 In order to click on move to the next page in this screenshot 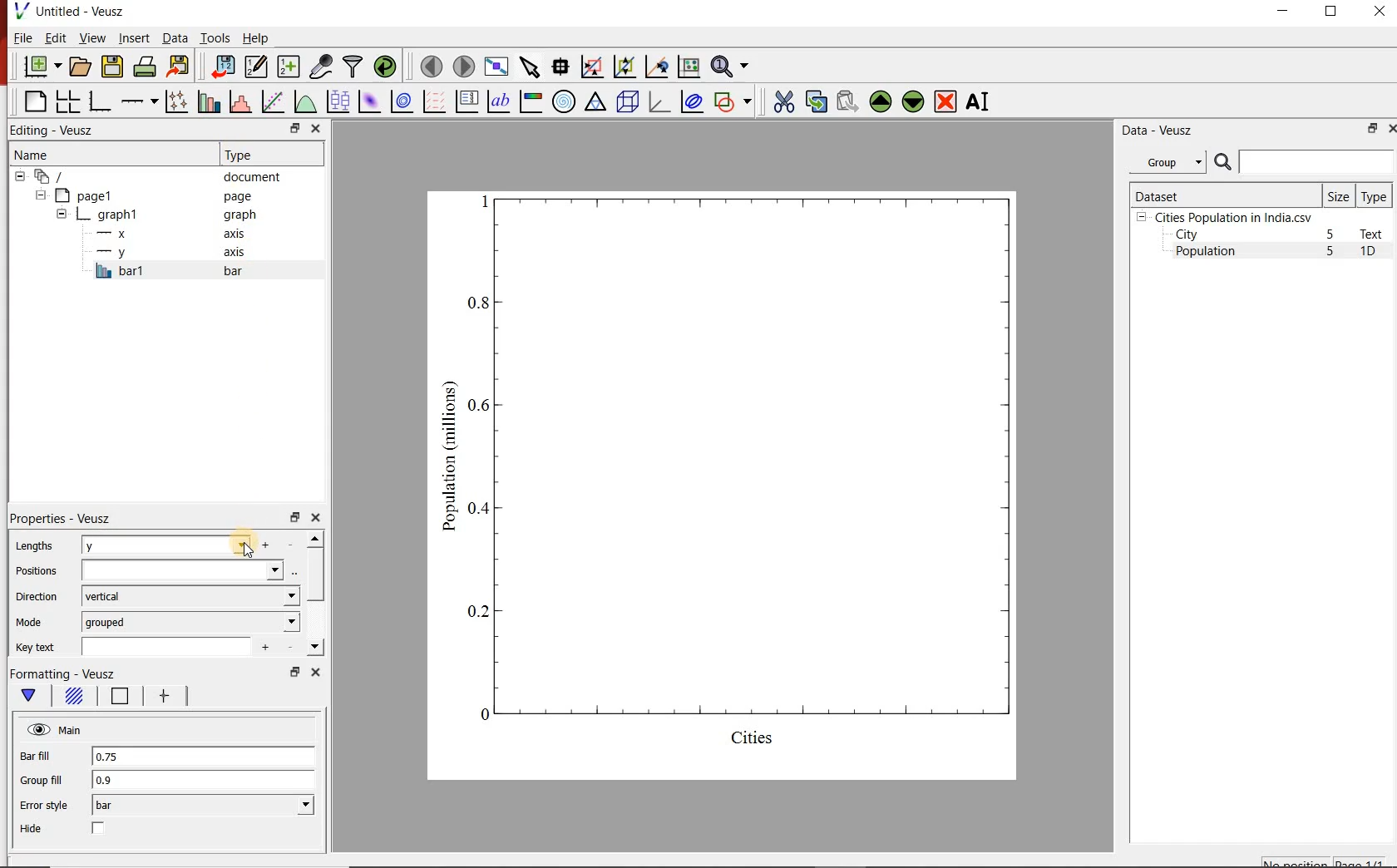, I will do `click(462, 66)`.